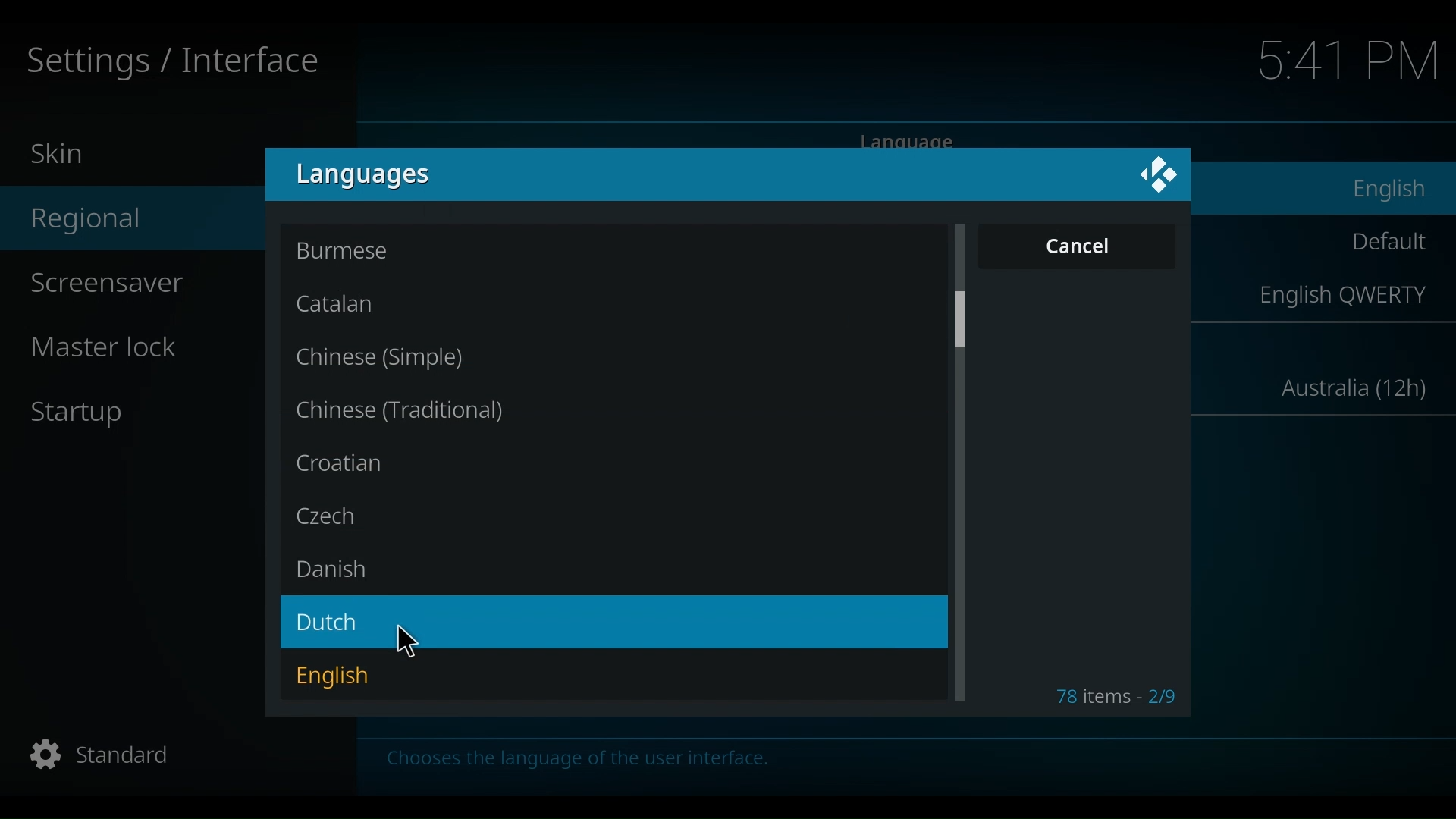 The width and height of the screenshot is (1456, 819). Describe the element at coordinates (167, 63) in the screenshot. I see `Settings / Interface` at that location.